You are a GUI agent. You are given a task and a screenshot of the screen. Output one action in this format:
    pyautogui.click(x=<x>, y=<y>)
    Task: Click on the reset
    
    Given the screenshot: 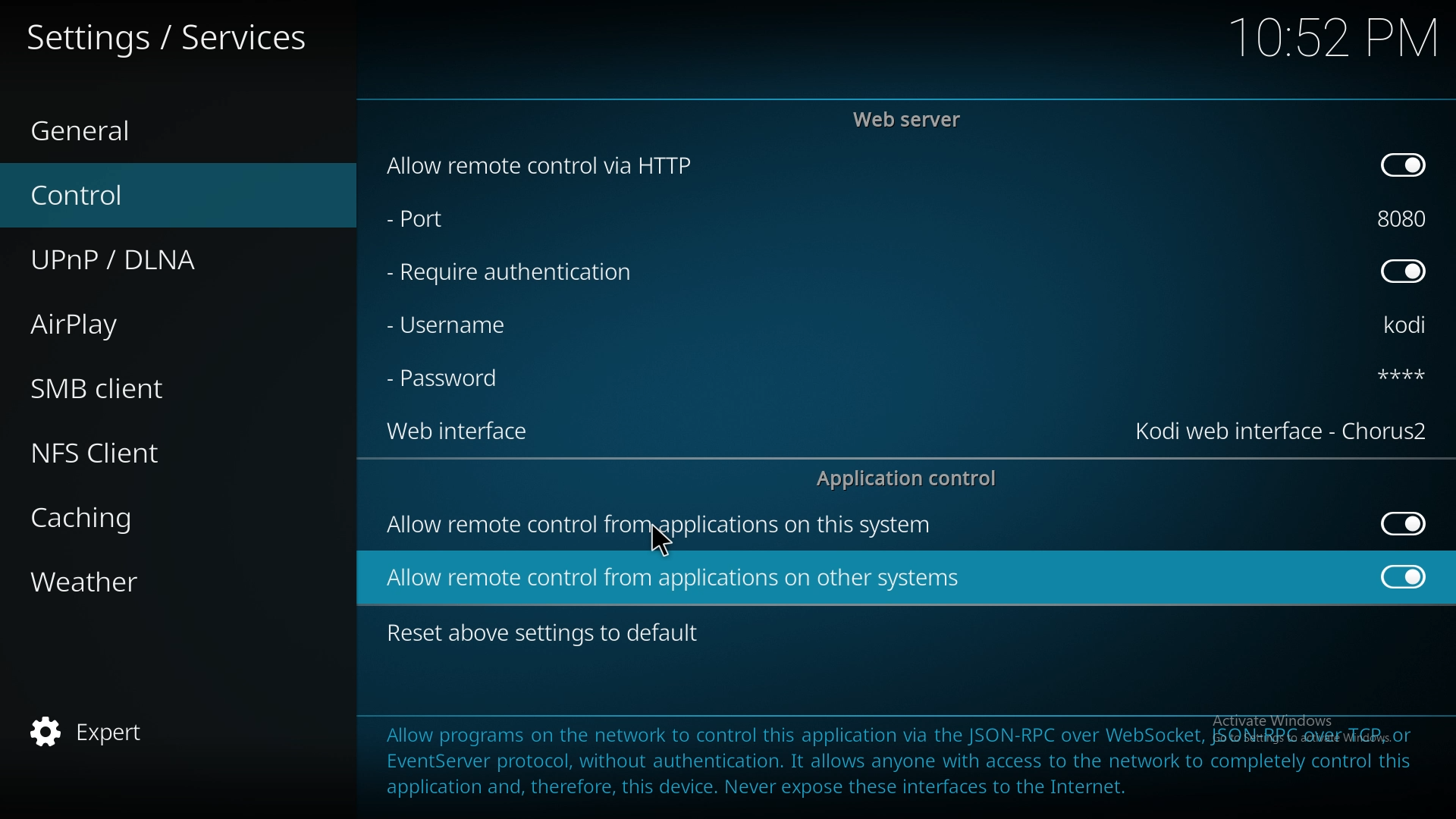 What is the action you would take?
    pyautogui.click(x=548, y=634)
    